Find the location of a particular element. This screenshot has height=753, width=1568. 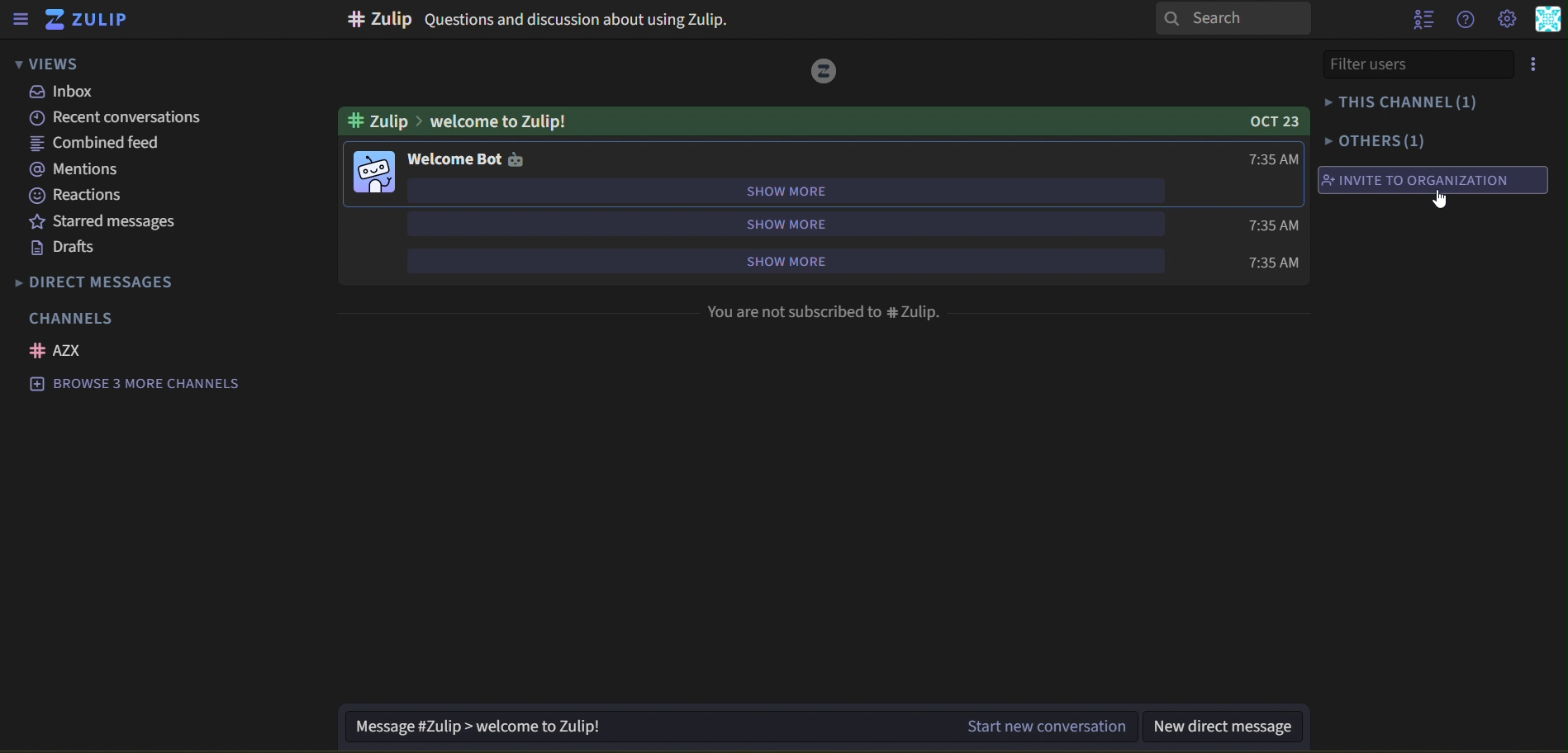

others is located at coordinates (1376, 141).